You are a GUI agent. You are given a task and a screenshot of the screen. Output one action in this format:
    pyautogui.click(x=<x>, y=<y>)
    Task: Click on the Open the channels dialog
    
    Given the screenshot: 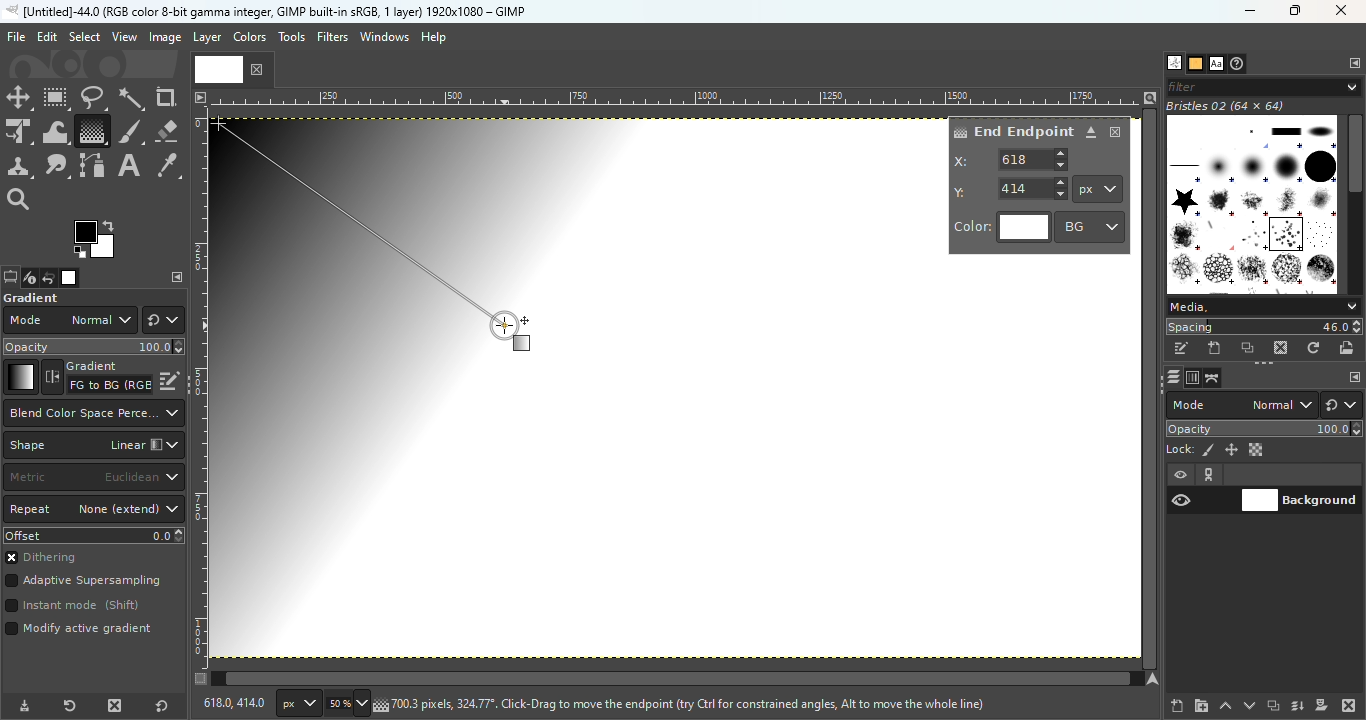 What is the action you would take?
    pyautogui.click(x=1191, y=376)
    